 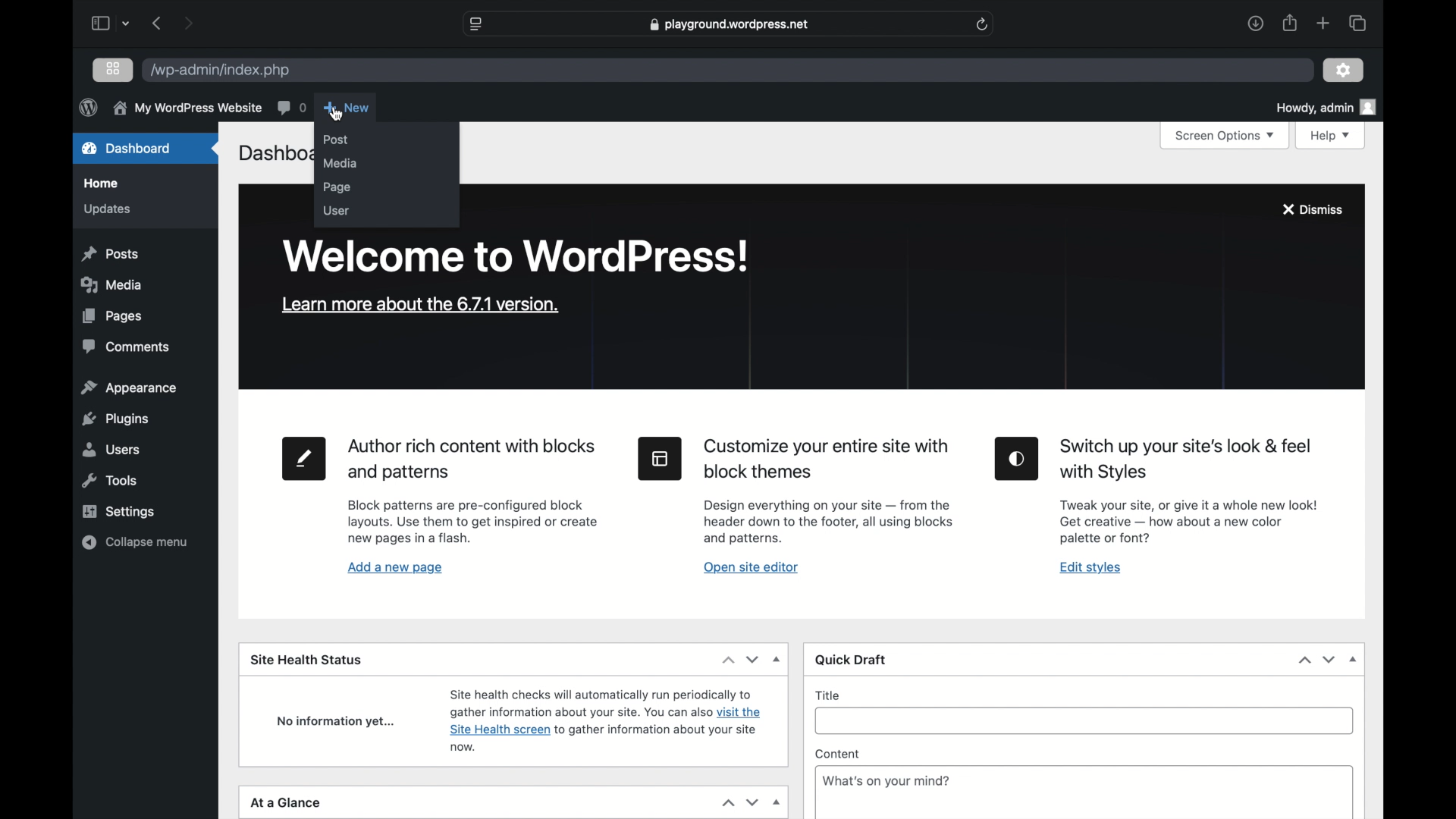 I want to click on learn more about the 6.7.1 version, so click(x=420, y=305).